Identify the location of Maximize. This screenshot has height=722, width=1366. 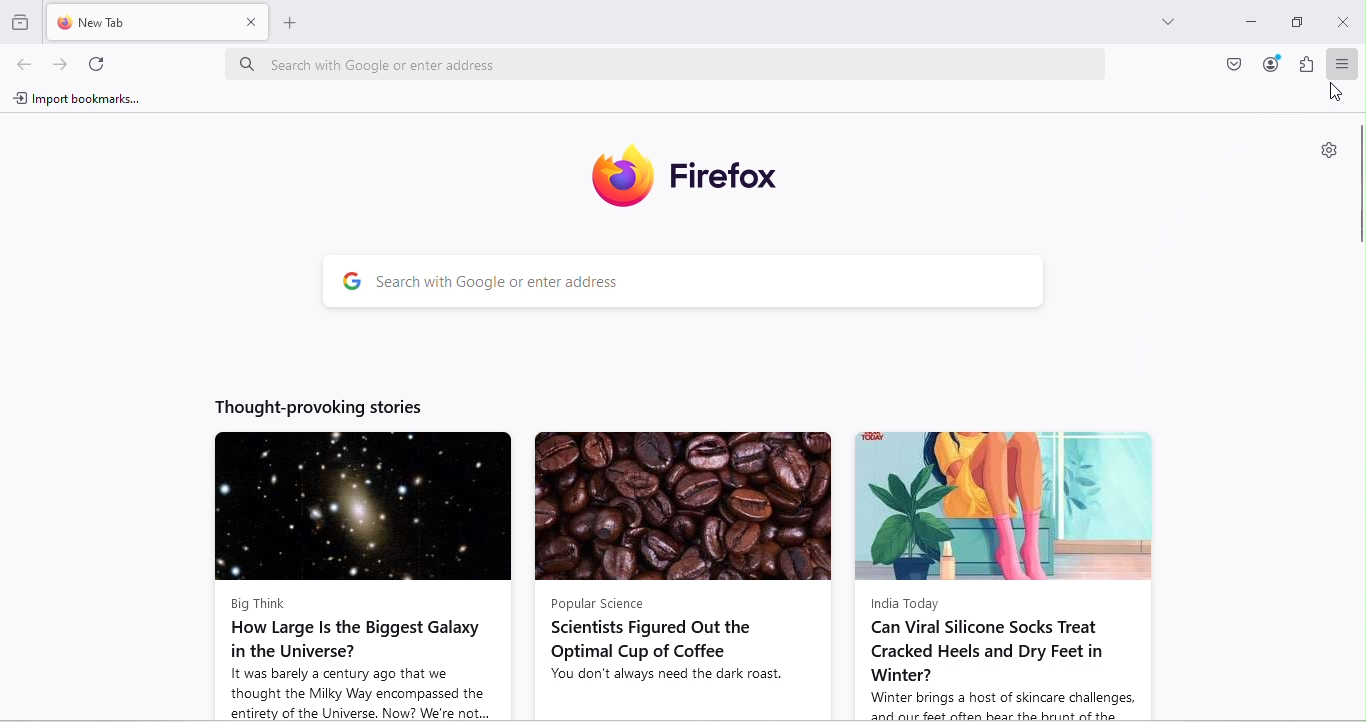
(1295, 23).